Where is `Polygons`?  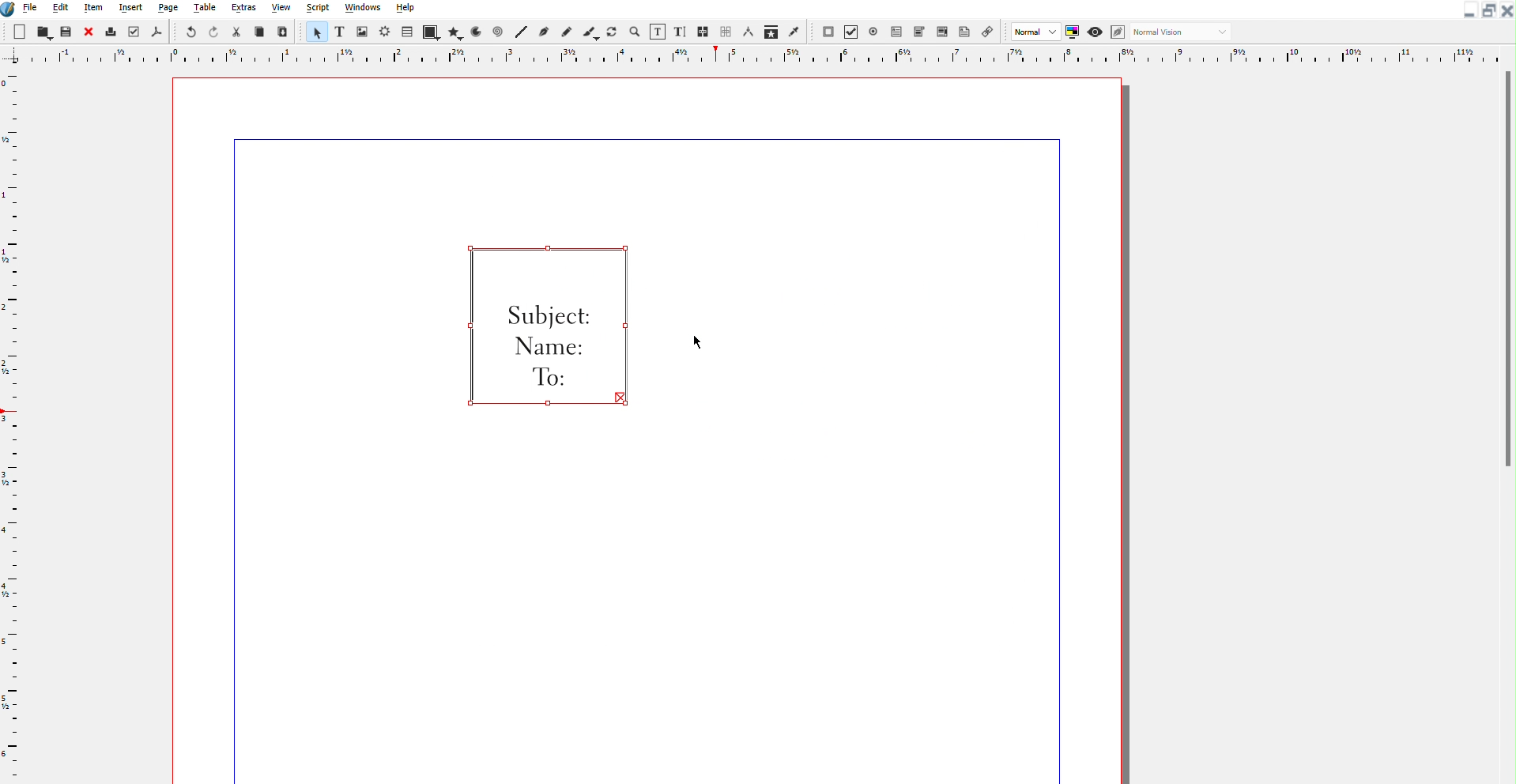
Polygons is located at coordinates (454, 32).